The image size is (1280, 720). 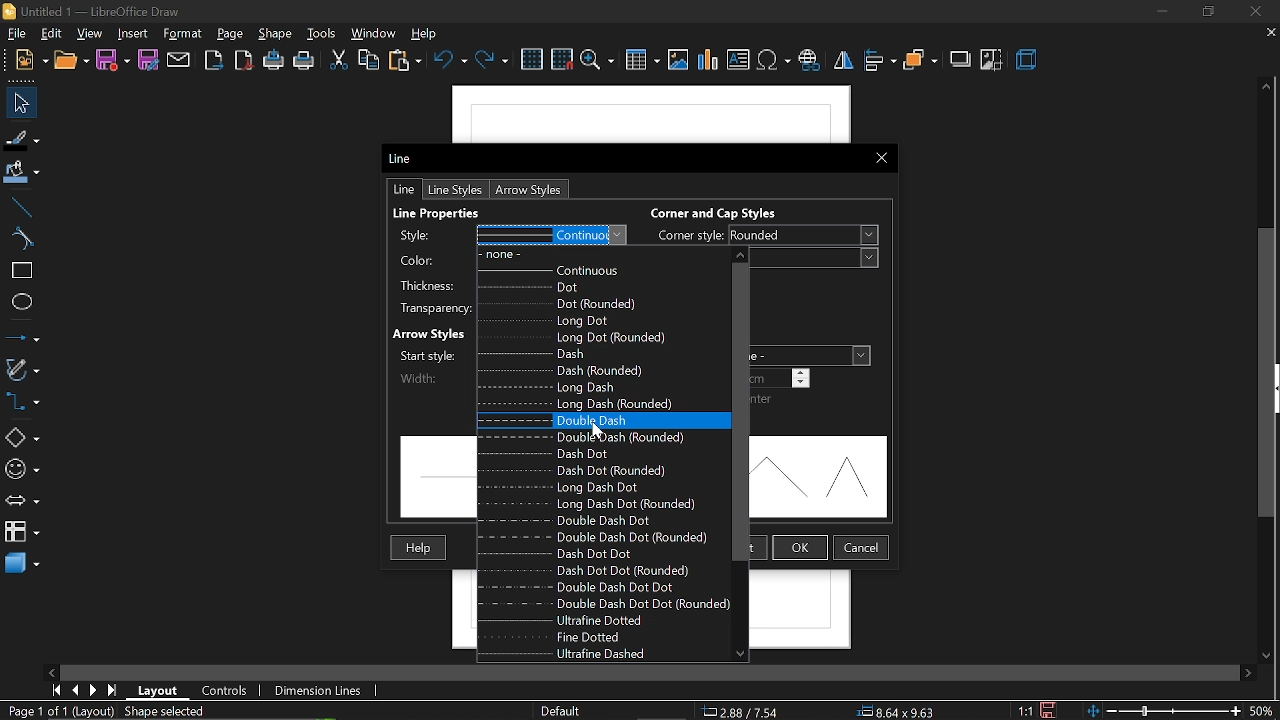 What do you see at coordinates (21, 436) in the screenshot?
I see `shapes` at bounding box center [21, 436].